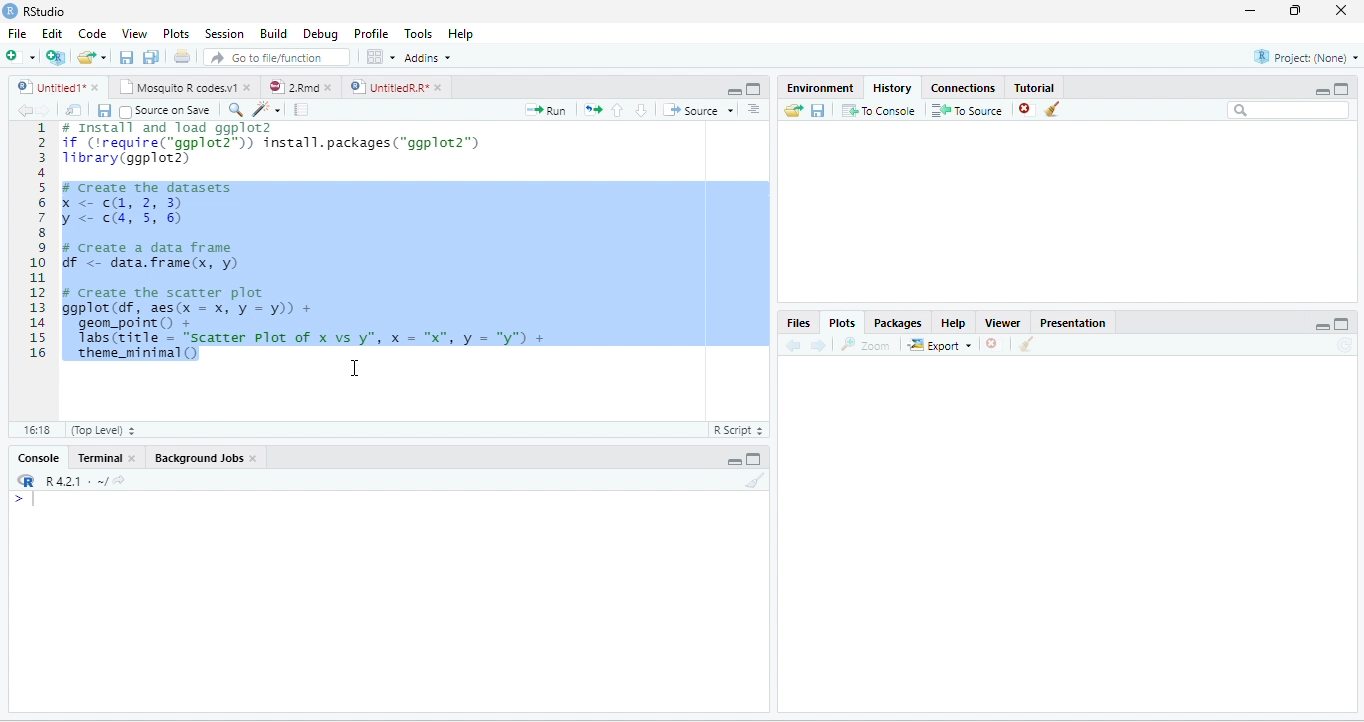  I want to click on To Source, so click(968, 111).